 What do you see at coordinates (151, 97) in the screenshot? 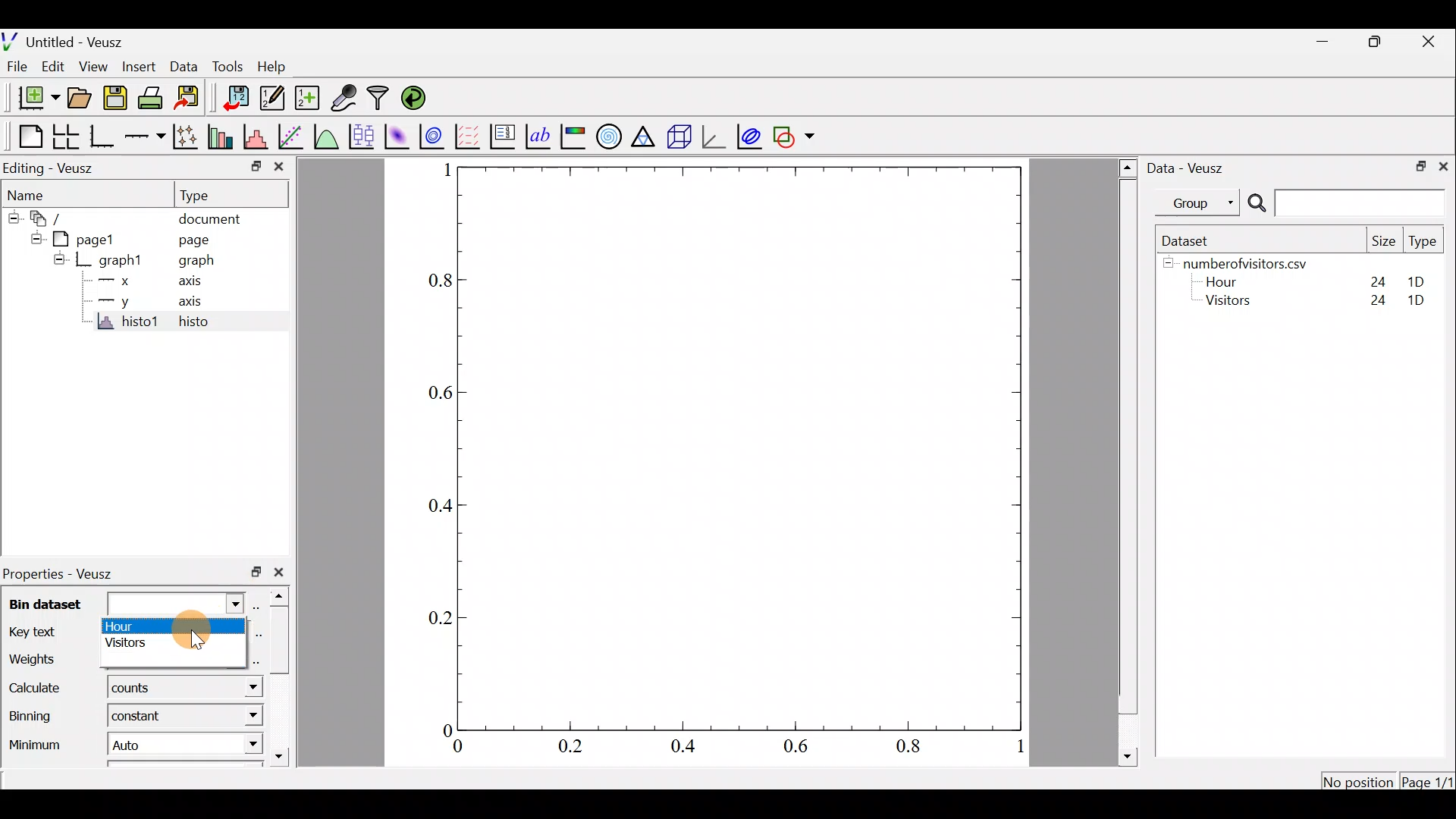
I see `print the document` at bounding box center [151, 97].